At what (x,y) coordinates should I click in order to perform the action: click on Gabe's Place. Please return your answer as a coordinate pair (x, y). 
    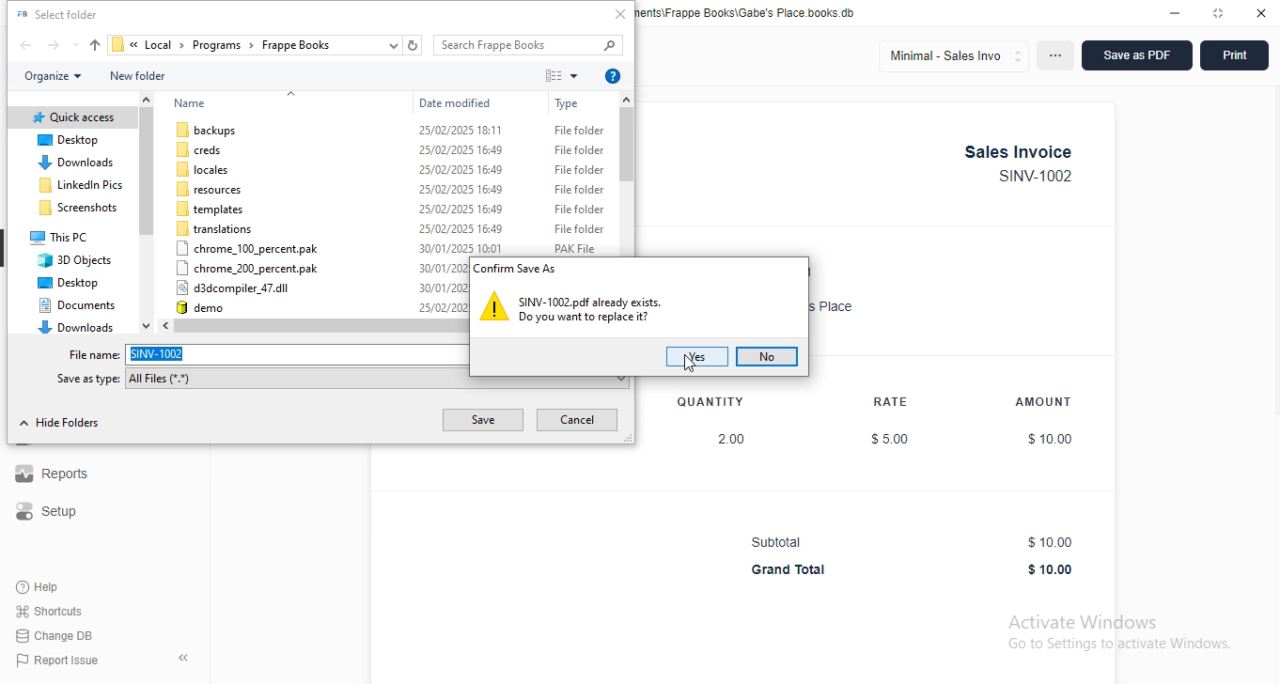
    Looking at the image, I should click on (834, 307).